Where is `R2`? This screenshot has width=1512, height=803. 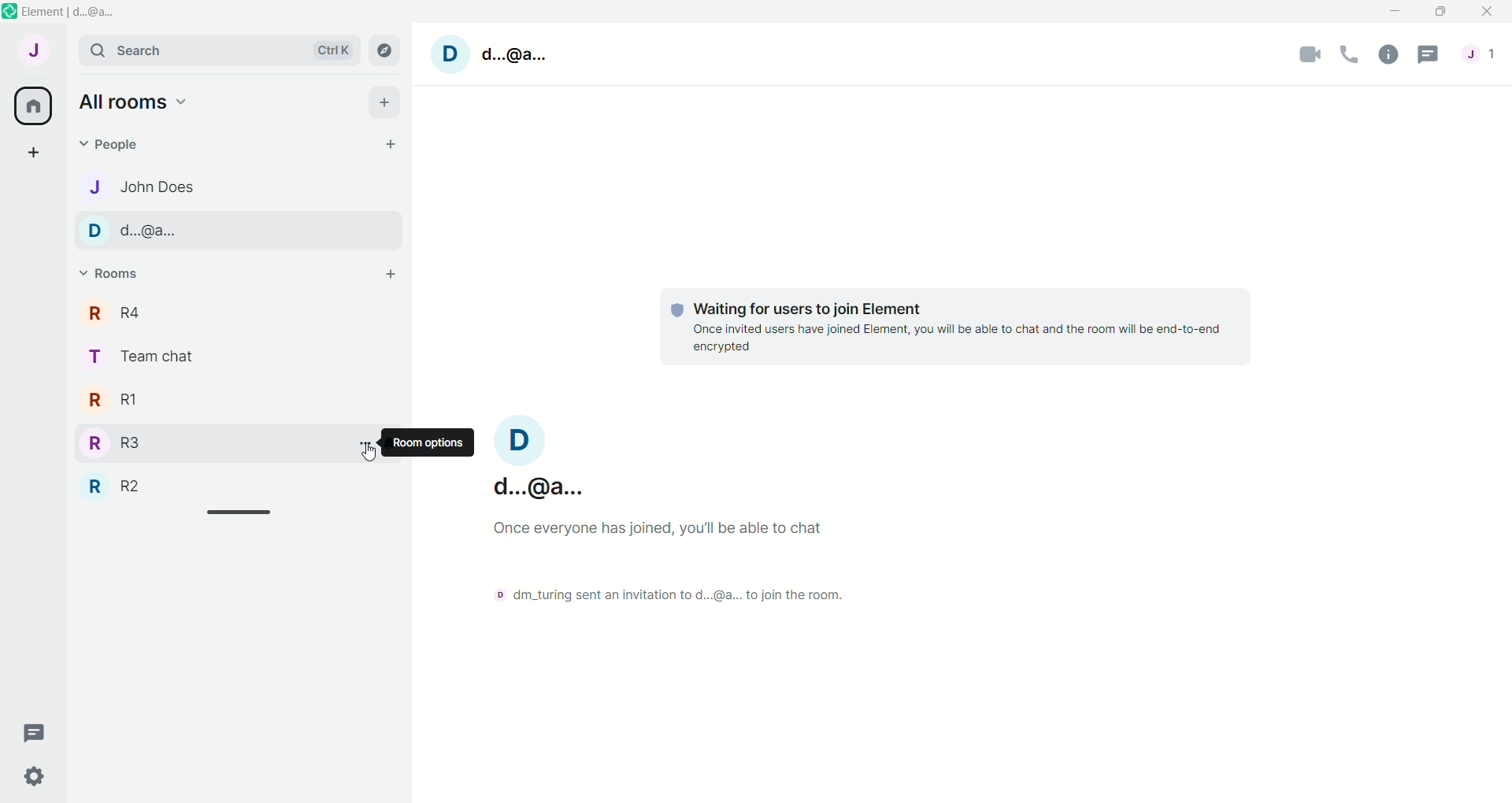
R2 is located at coordinates (238, 483).